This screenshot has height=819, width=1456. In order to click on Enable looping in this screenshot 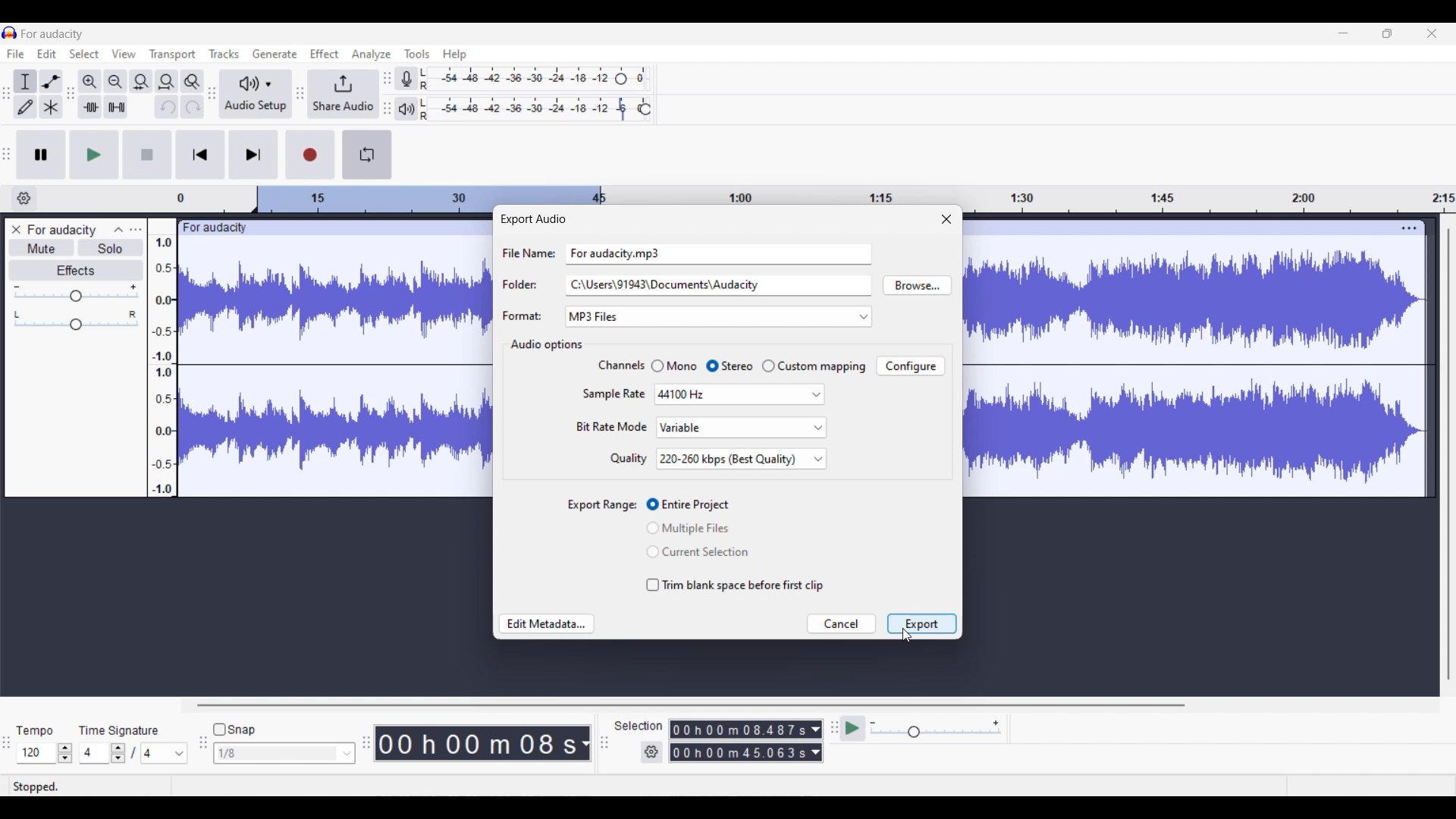, I will do `click(366, 155)`.